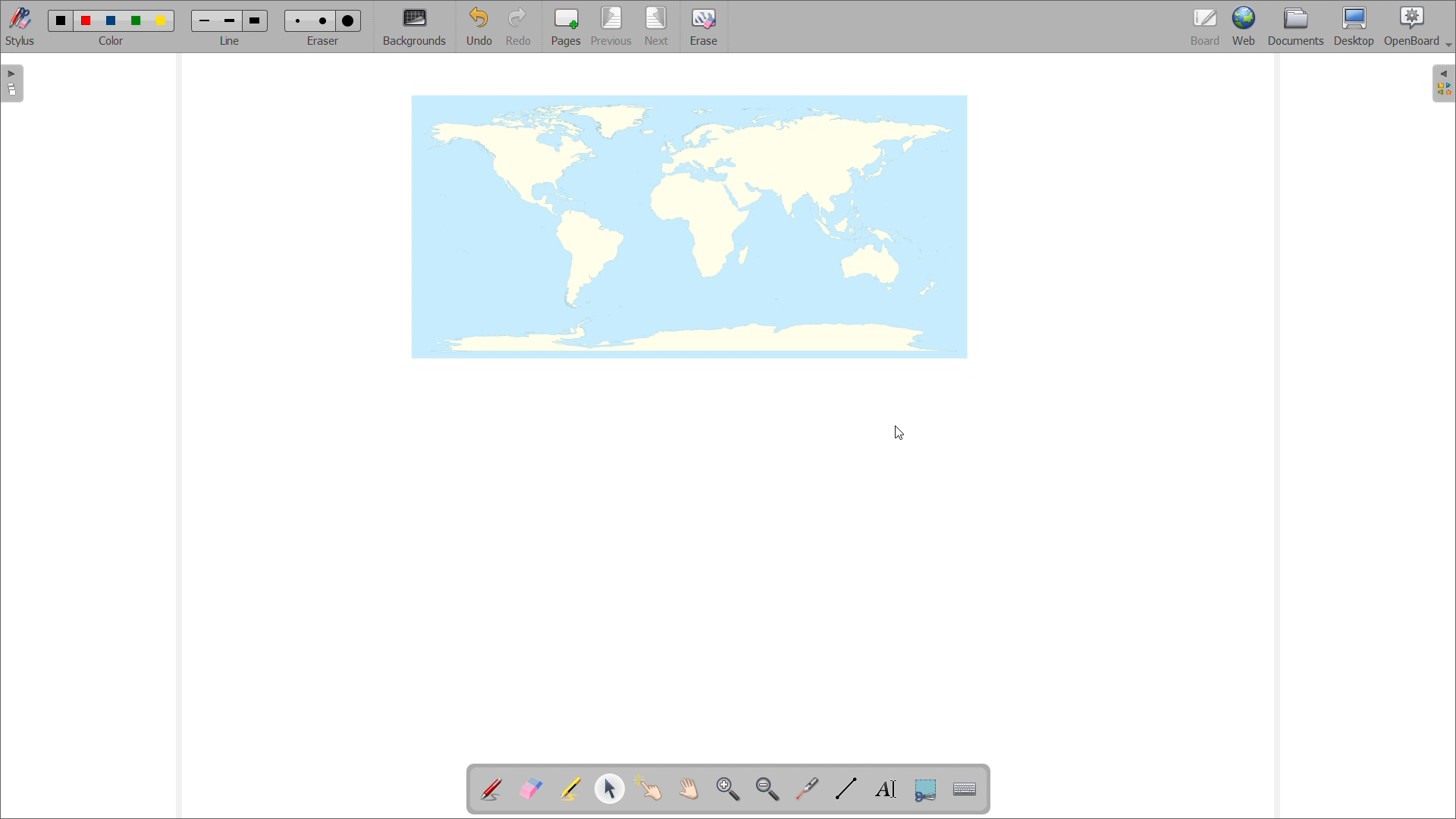  Describe the element at coordinates (808, 789) in the screenshot. I see `virtual laser pointer` at that location.